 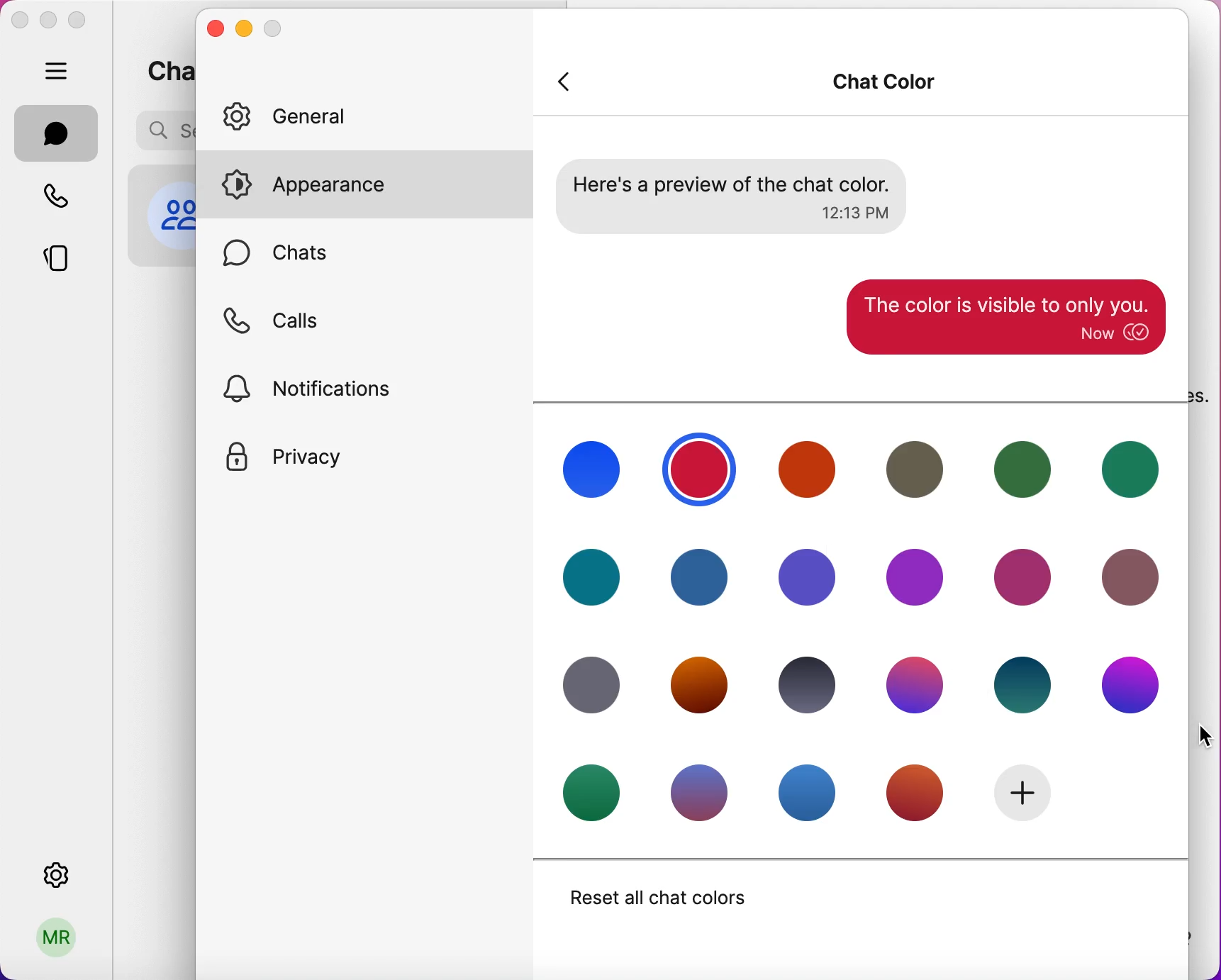 I want to click on chat colors, so click(x=868, y=637).